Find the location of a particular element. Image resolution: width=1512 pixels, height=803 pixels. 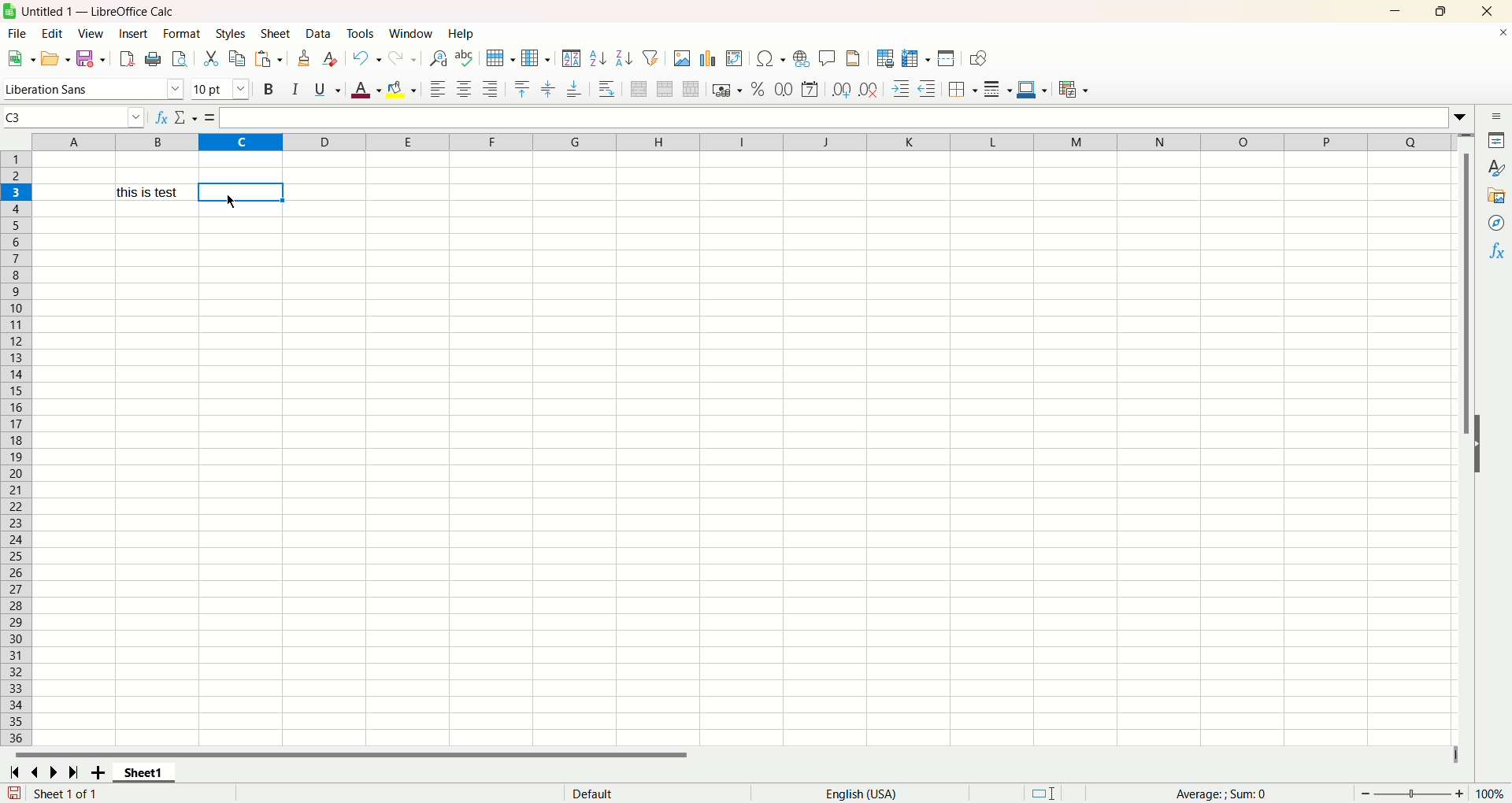

zoom bar is located at coordinates (1414, 792).